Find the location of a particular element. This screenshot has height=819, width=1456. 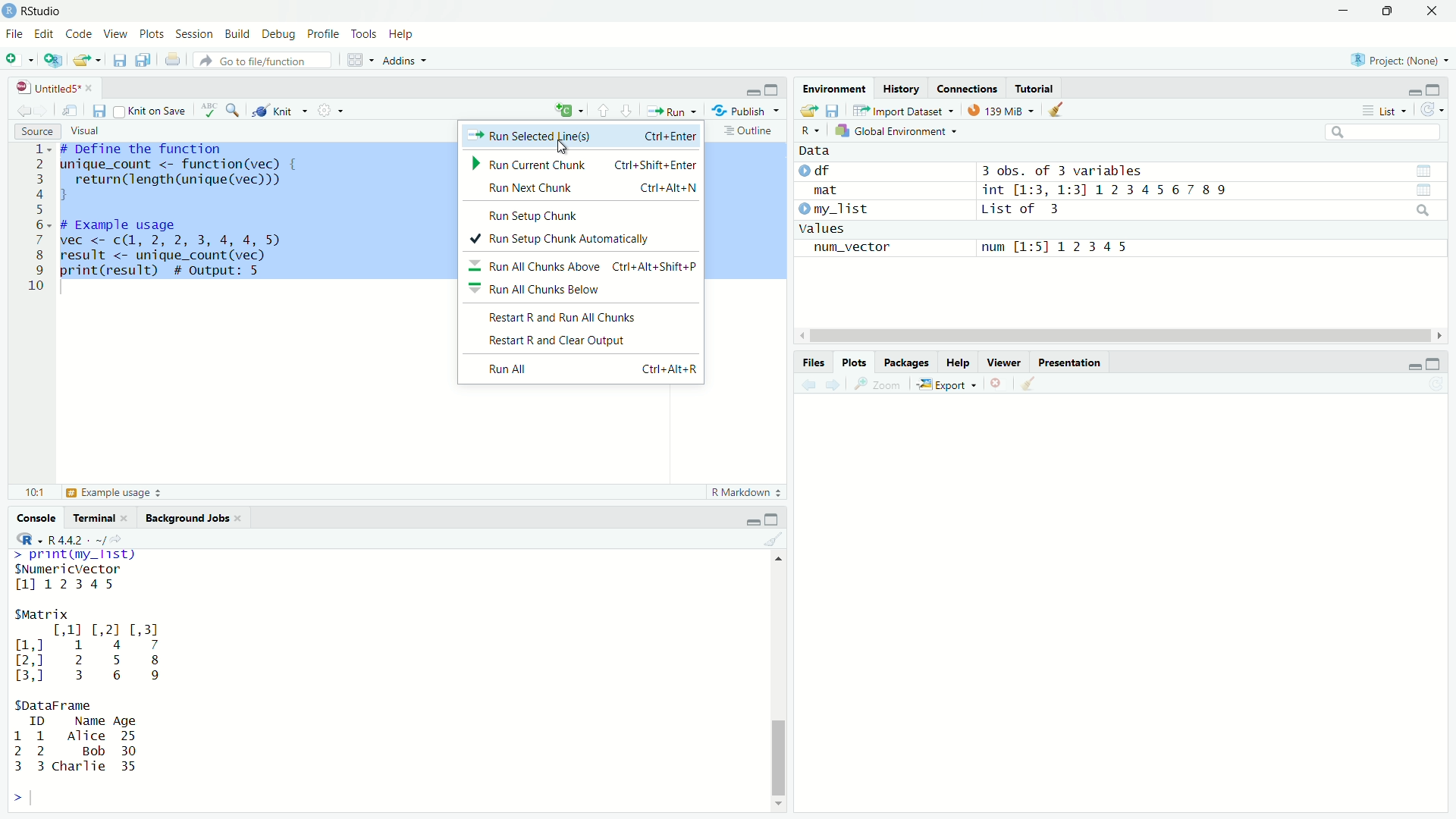

go to file/function is located at coordinates (263, 60).